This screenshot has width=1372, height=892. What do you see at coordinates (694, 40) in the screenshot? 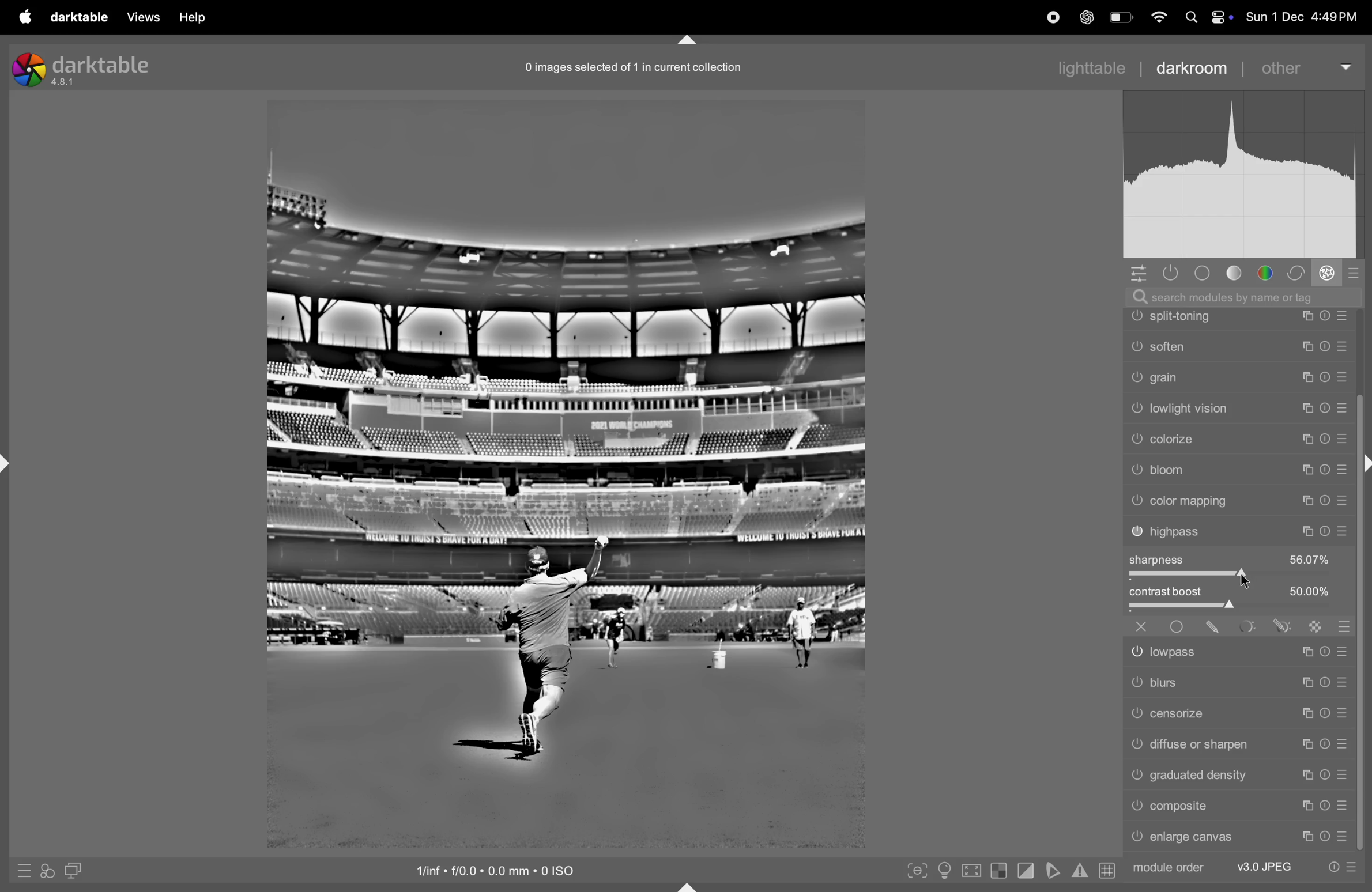
I see `markdown` at bounding box center [694, 40].